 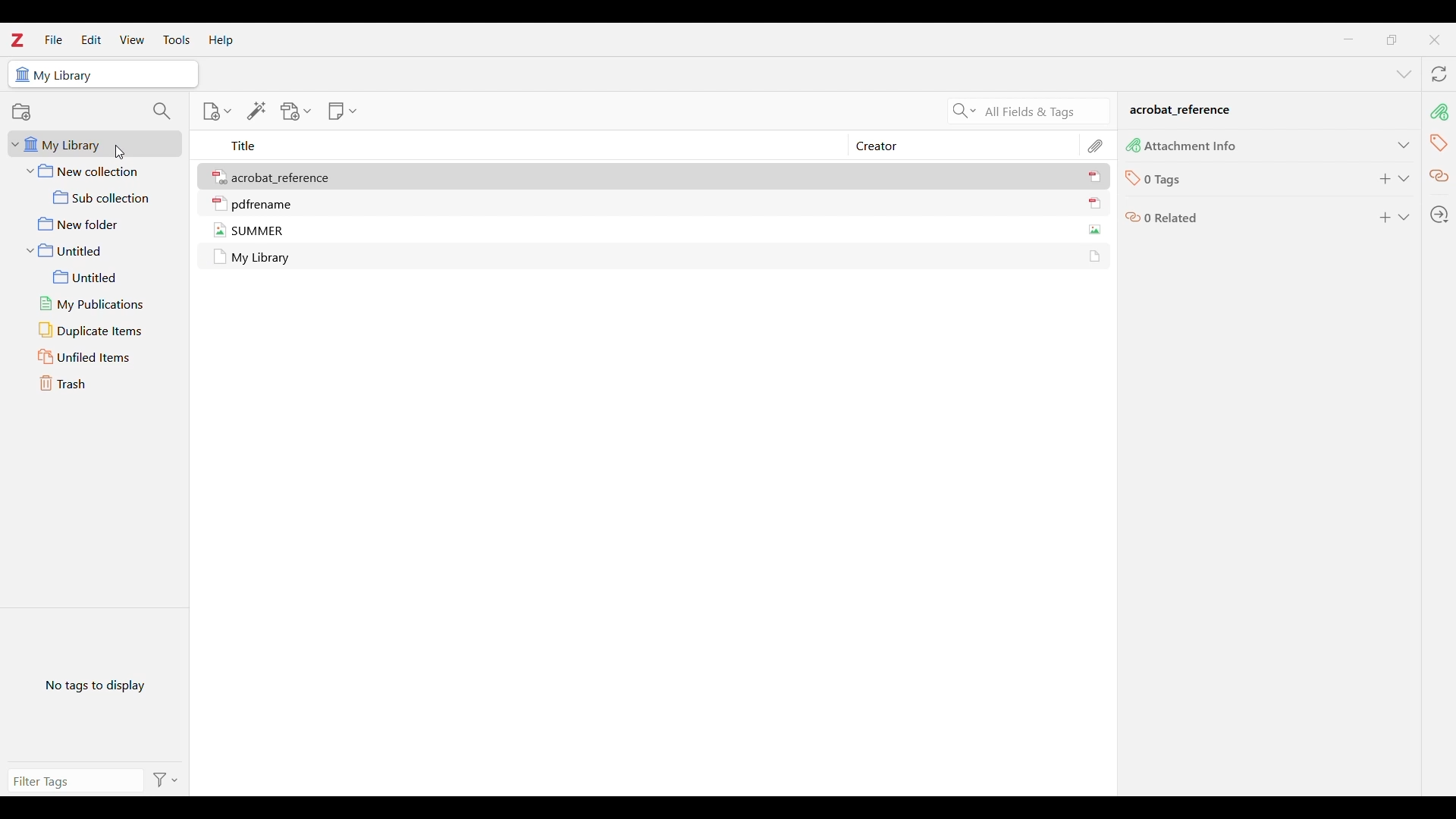 I want to click on Trash folder, so click(x=99, y=383).